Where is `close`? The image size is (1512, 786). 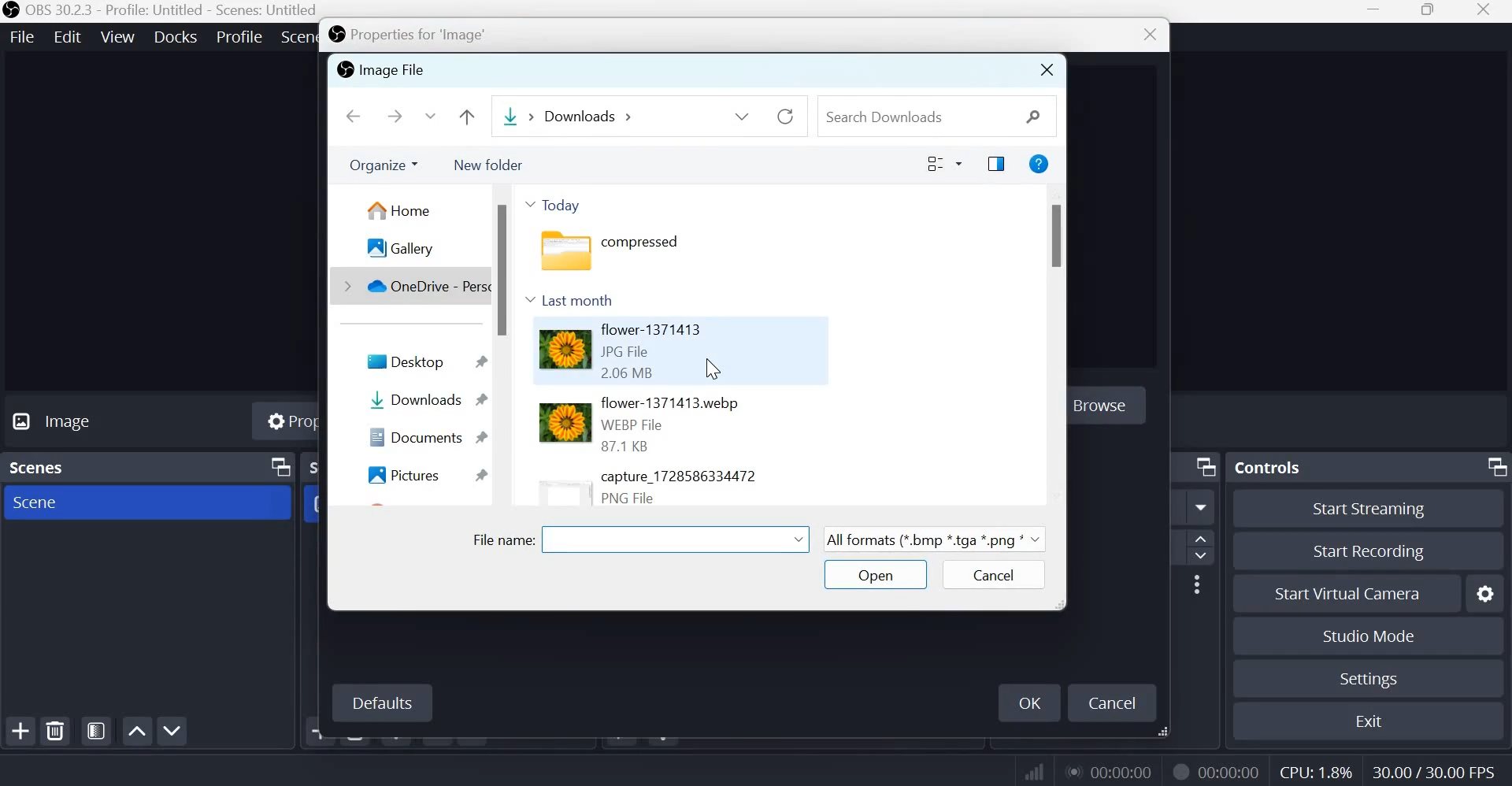 close is located at coordinates (1045, 69).